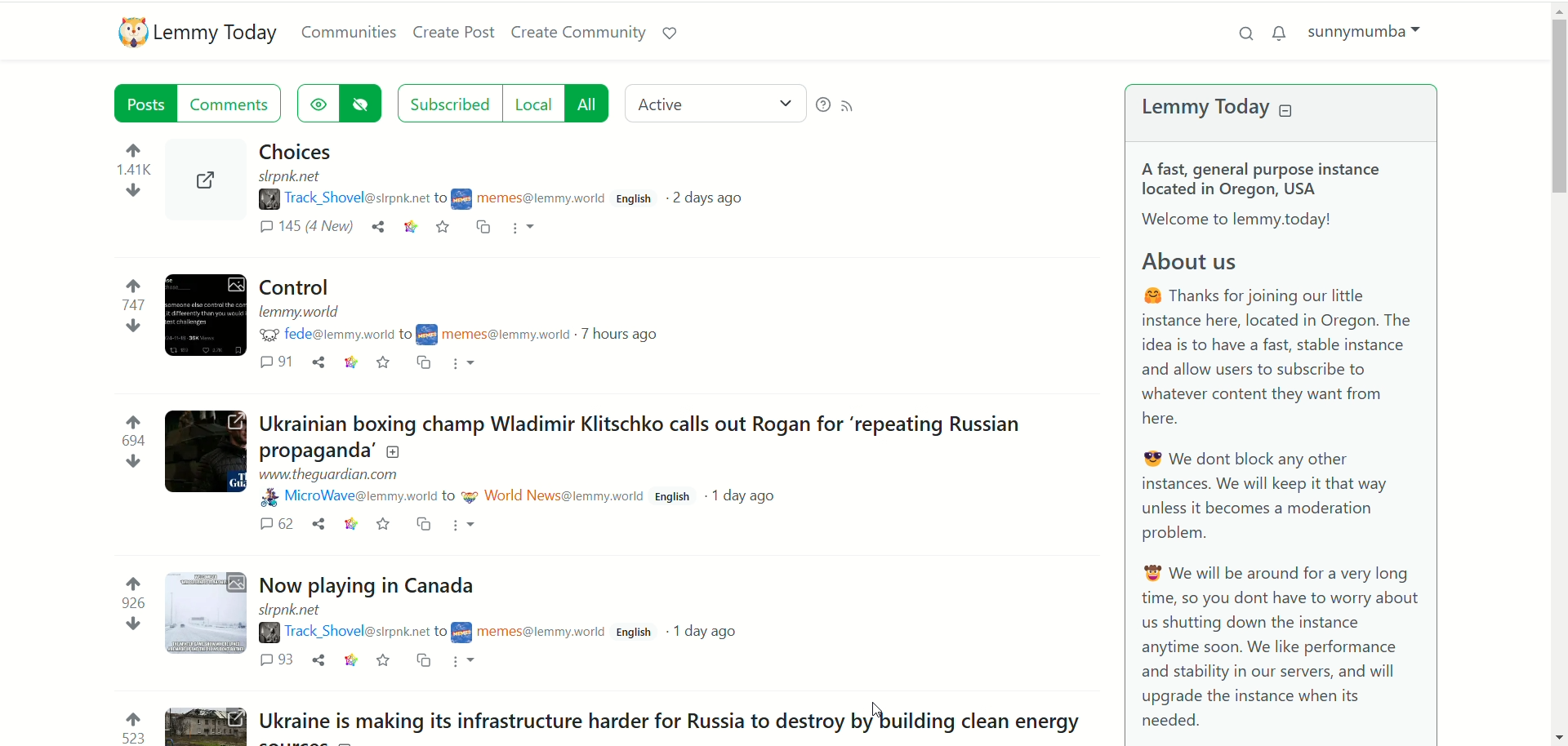 Image resolution: width=1568 pixels, height=746 pixels. I want to click on Post on "Ukraine is making its infrastructure harder for Russia to destroy by building clean energy", so click(670, 719).